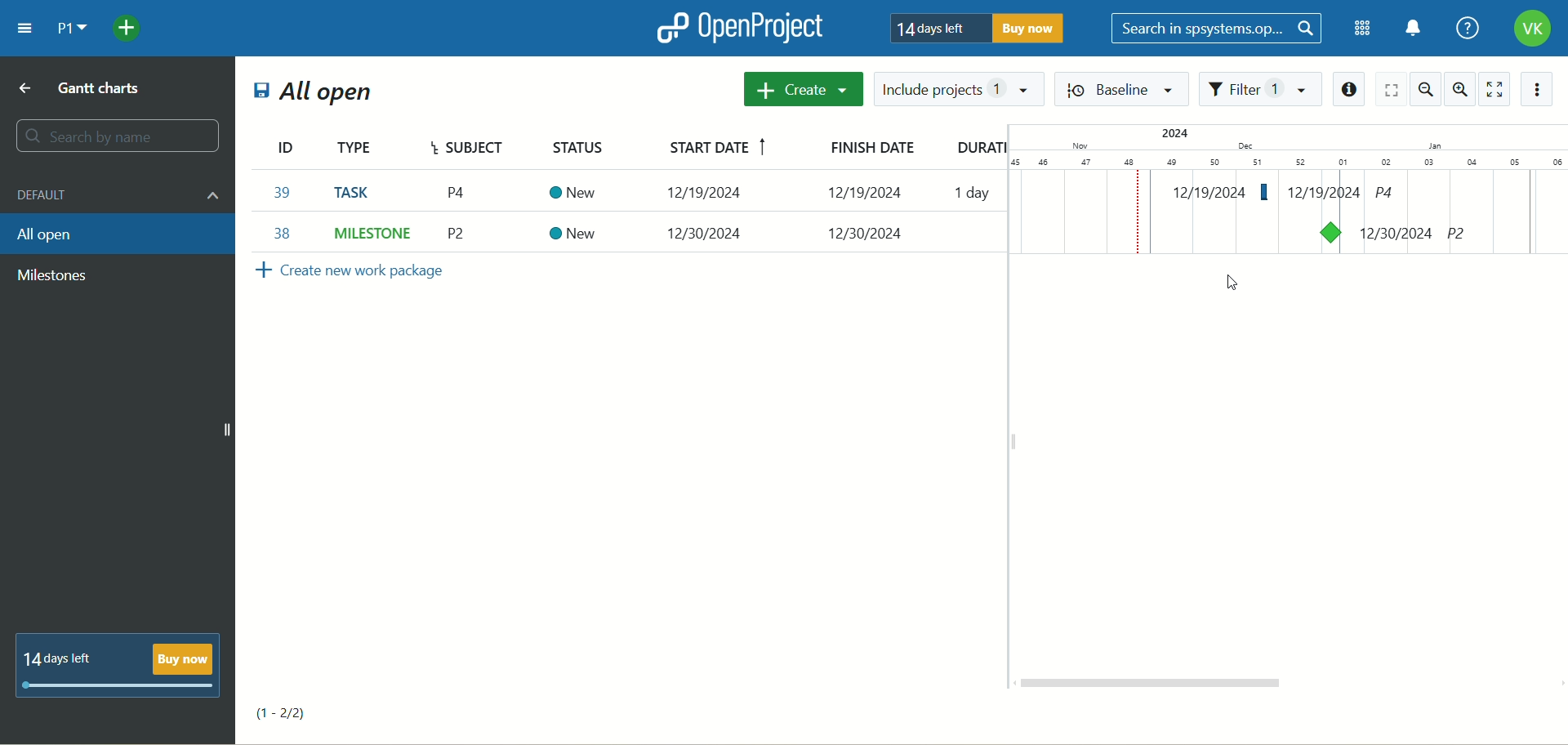 This screenshot has width=1568, height=745. Describe the element at coordinates (317, 92) in the screenshot. I see `all open` at that location.